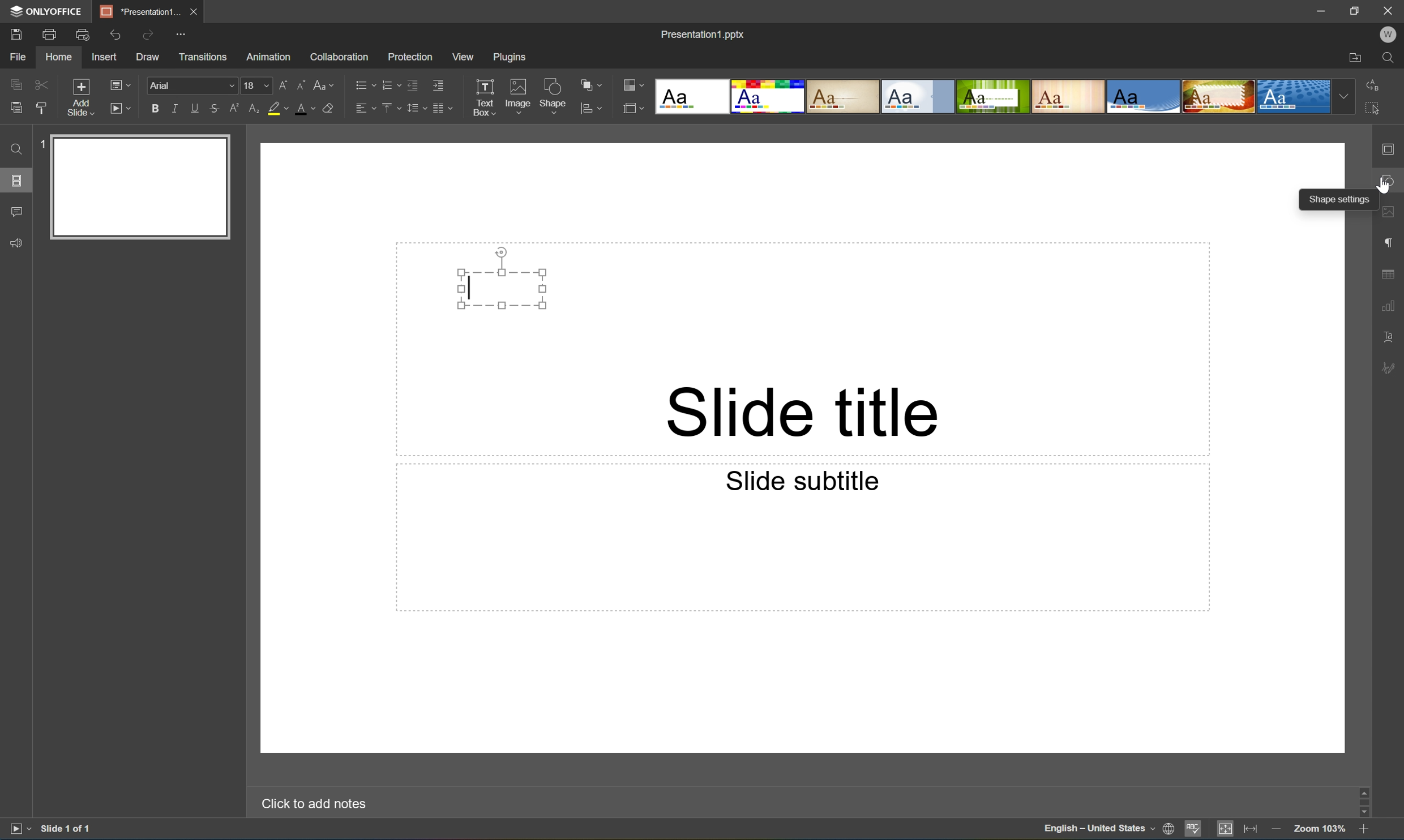  Describe the element at coordinates (1390, 275) in the screenshot. I see `table settings` at that location.